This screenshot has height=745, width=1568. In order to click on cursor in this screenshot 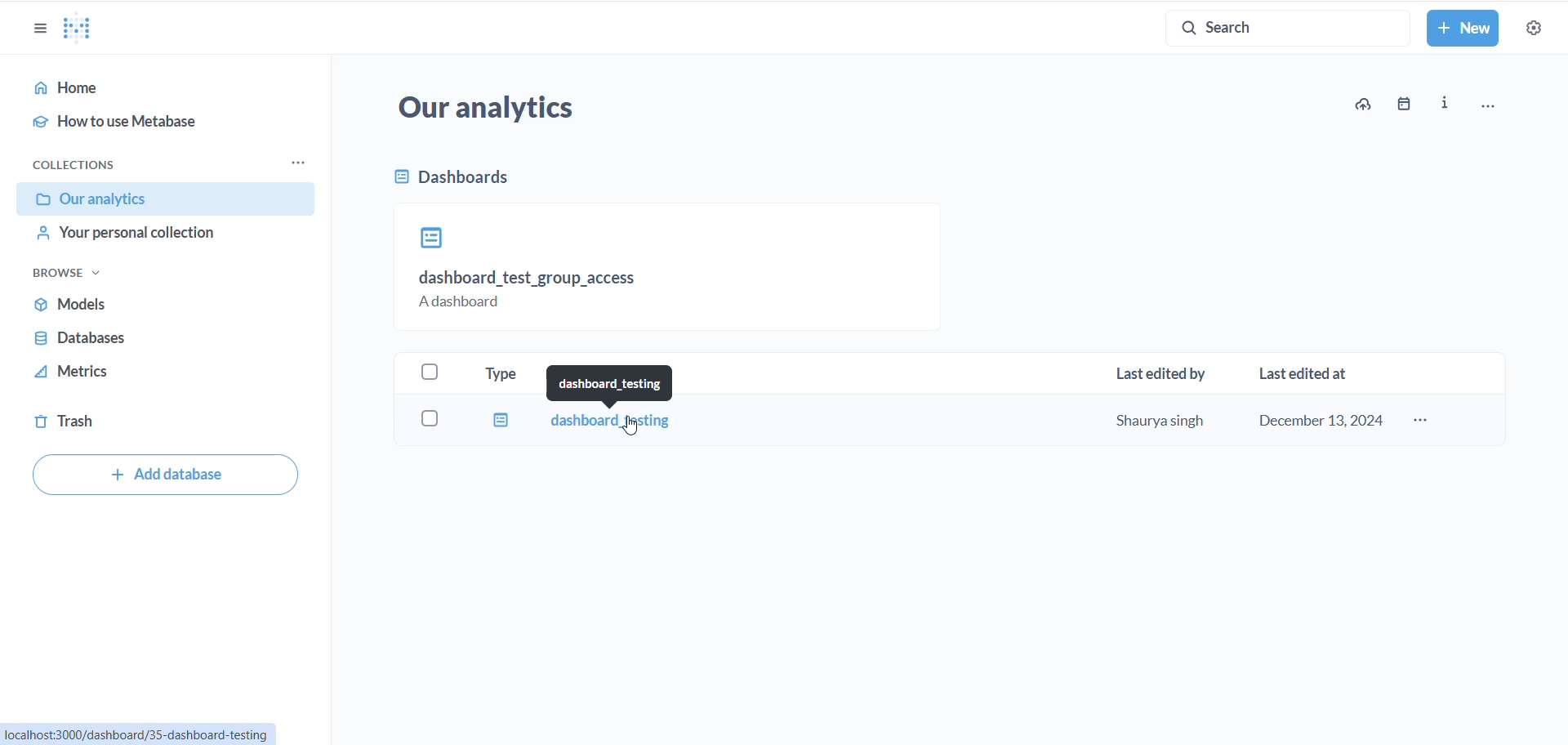, I will do `click(635, 430)`.